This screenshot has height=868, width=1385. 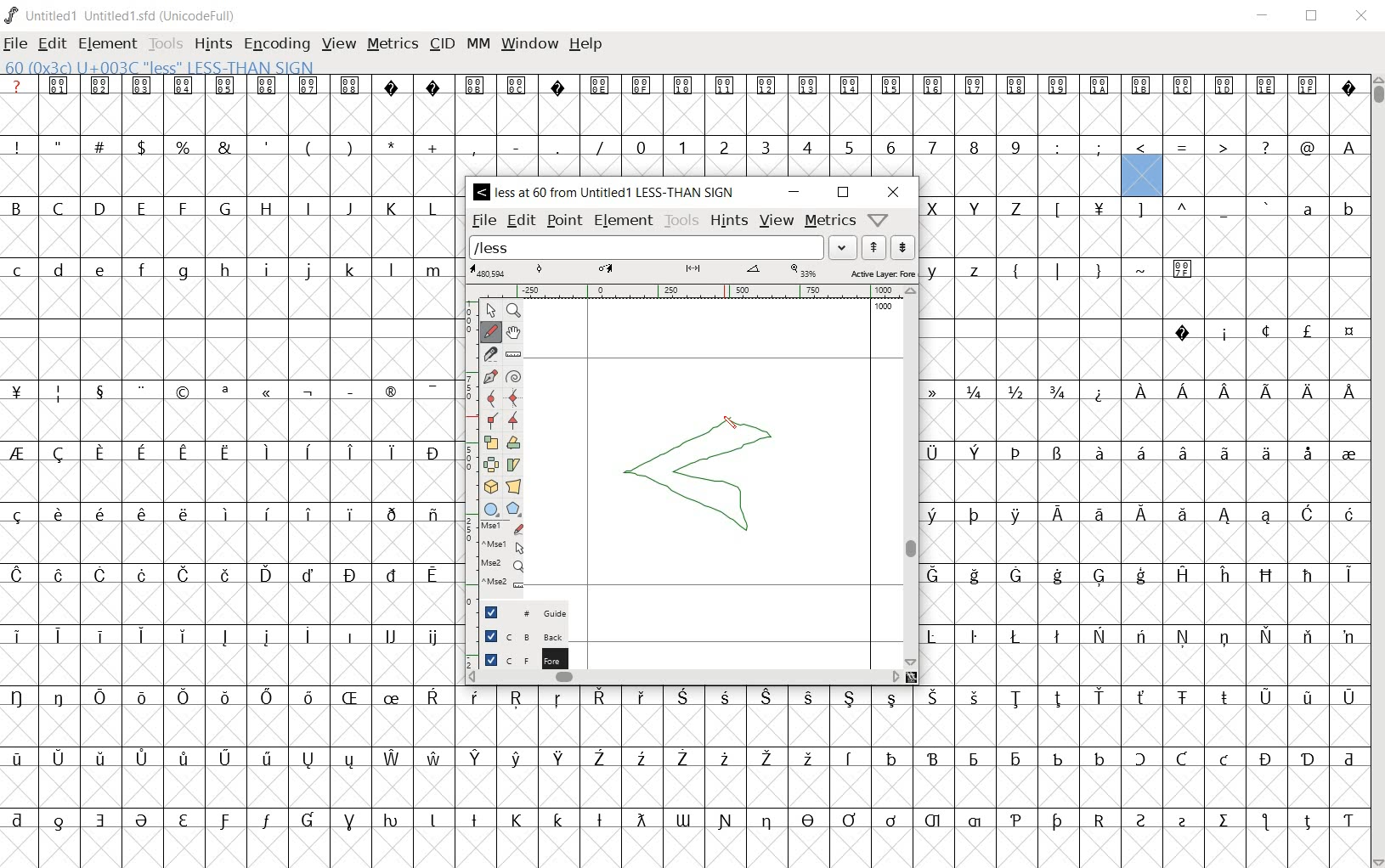 I want to click on rotate the selection in 3D and project back to plane, so click(x=490, y=487).